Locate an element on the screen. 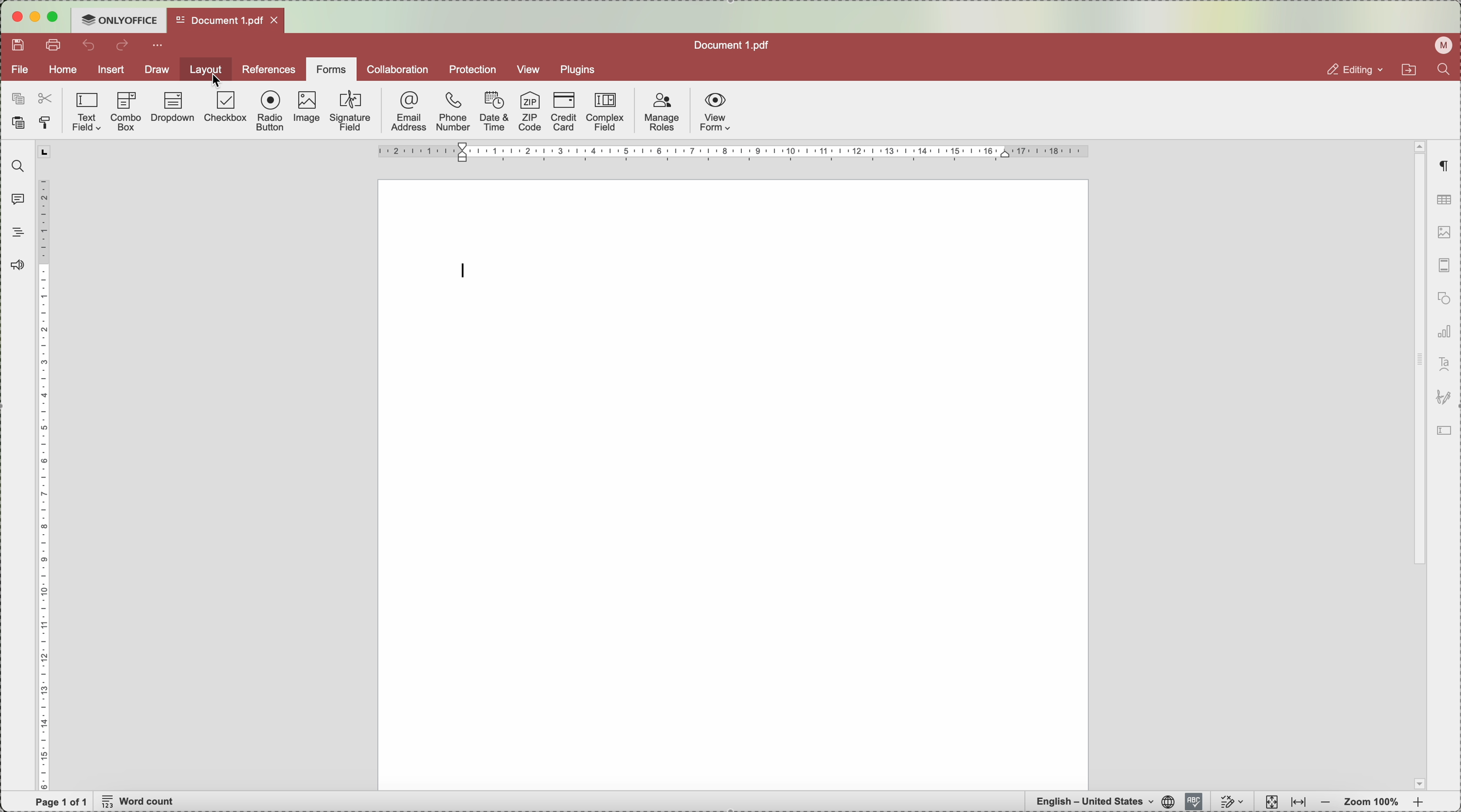 Image resolution: width=1461 pixels, height=812 pixels. spelling activated is located at coordinates (1193, 801).